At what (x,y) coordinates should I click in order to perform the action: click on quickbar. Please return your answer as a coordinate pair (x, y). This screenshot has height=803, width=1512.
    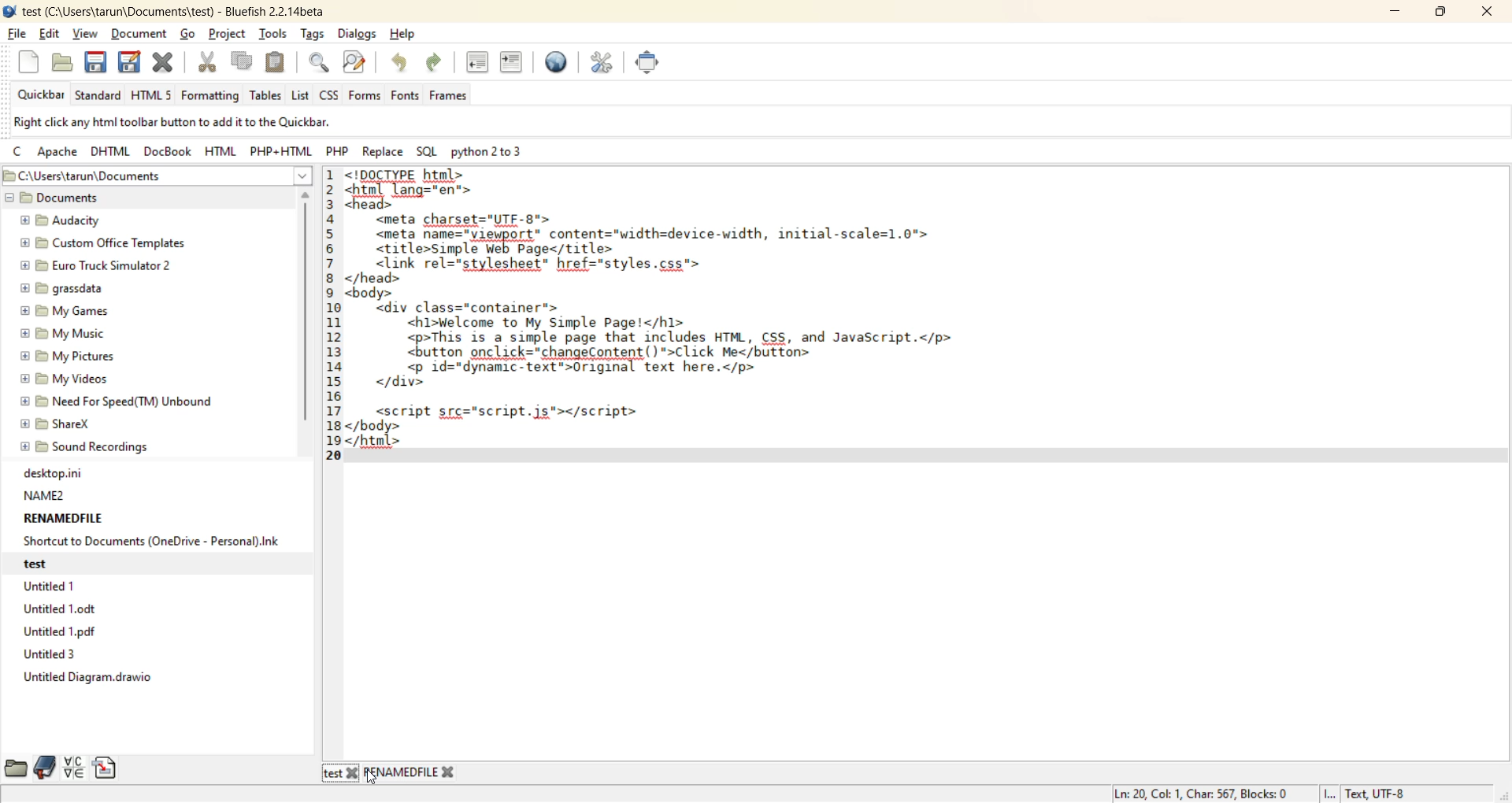
    Looking at the image, I should click on (38, 95).